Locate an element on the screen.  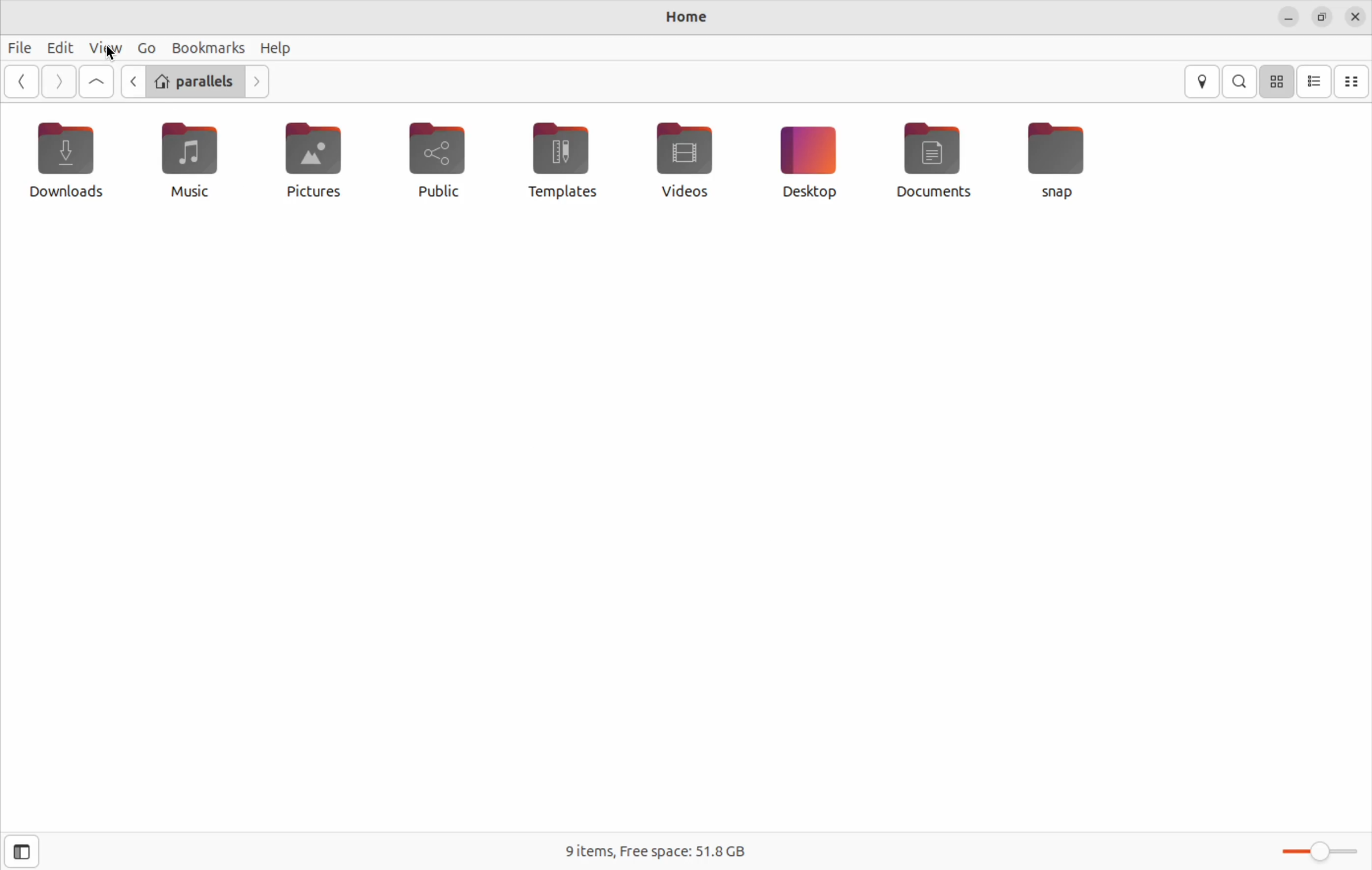
list view is located at coordinates (1314, 82).